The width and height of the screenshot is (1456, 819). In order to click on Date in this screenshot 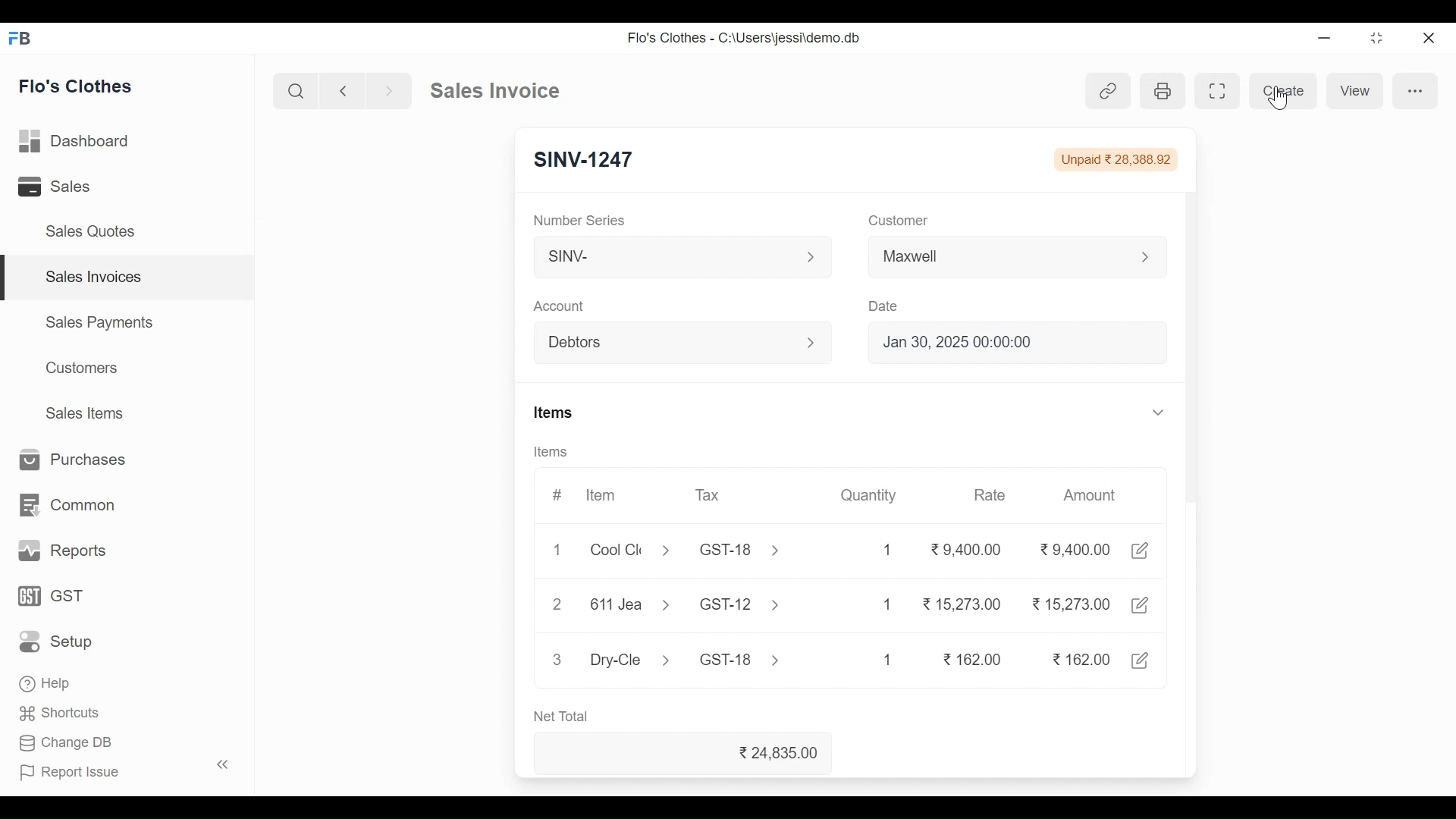, I will do `click(886, 307)`.